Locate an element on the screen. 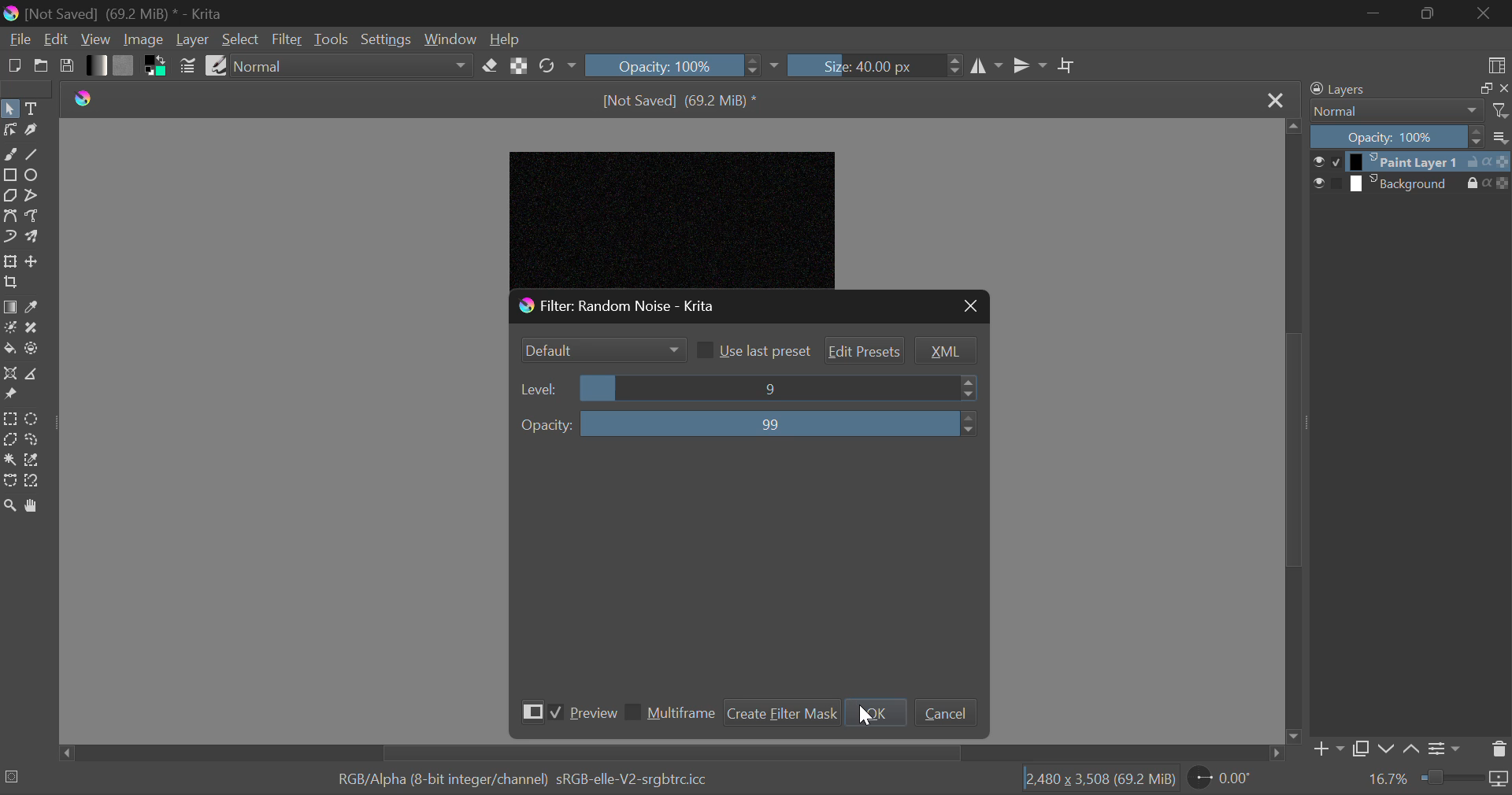 The image size is (1512, 795). maximize is located at coordinates (1477, 88).